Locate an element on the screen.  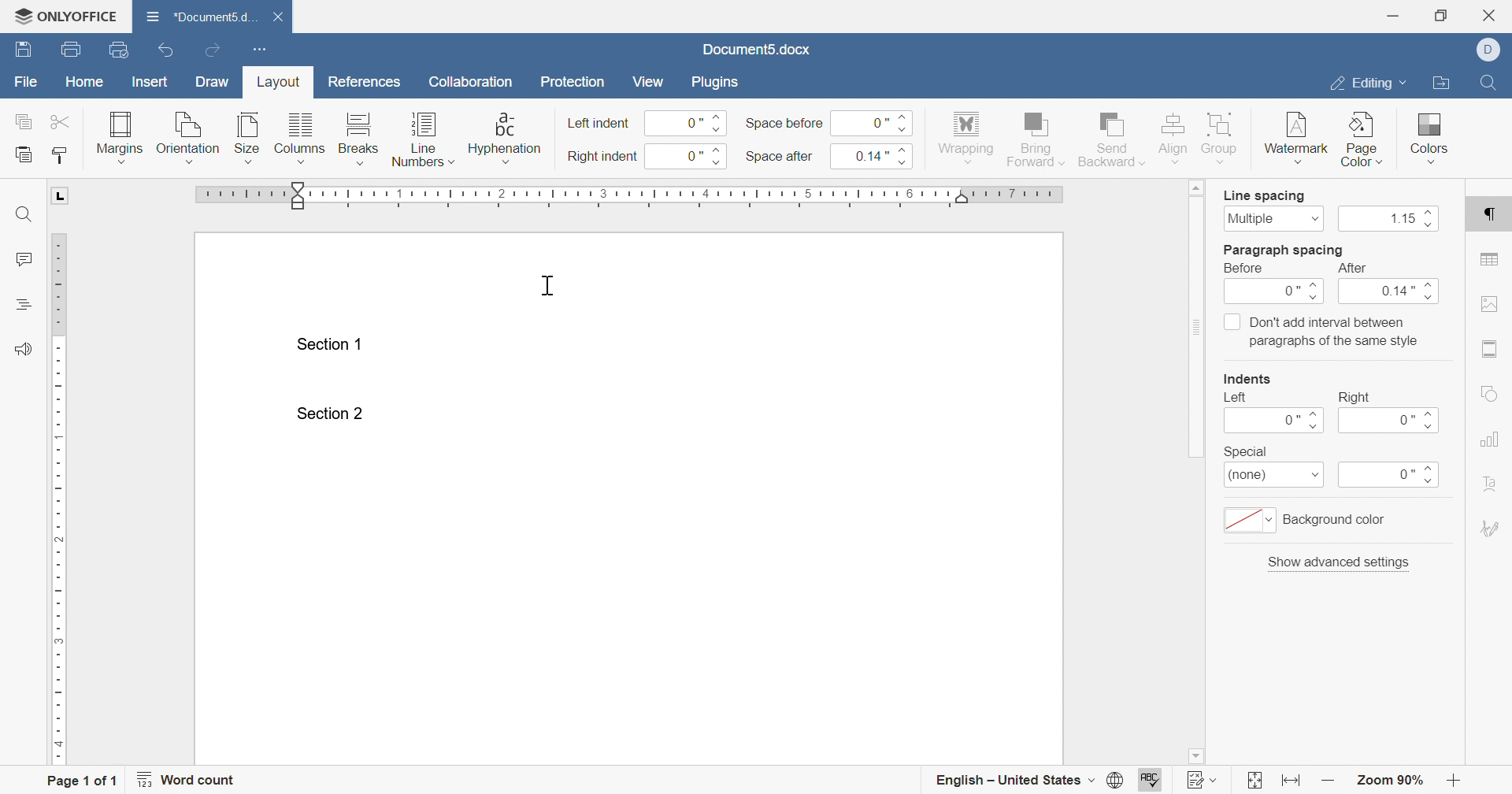
align is located at coordinates (1174, 137).